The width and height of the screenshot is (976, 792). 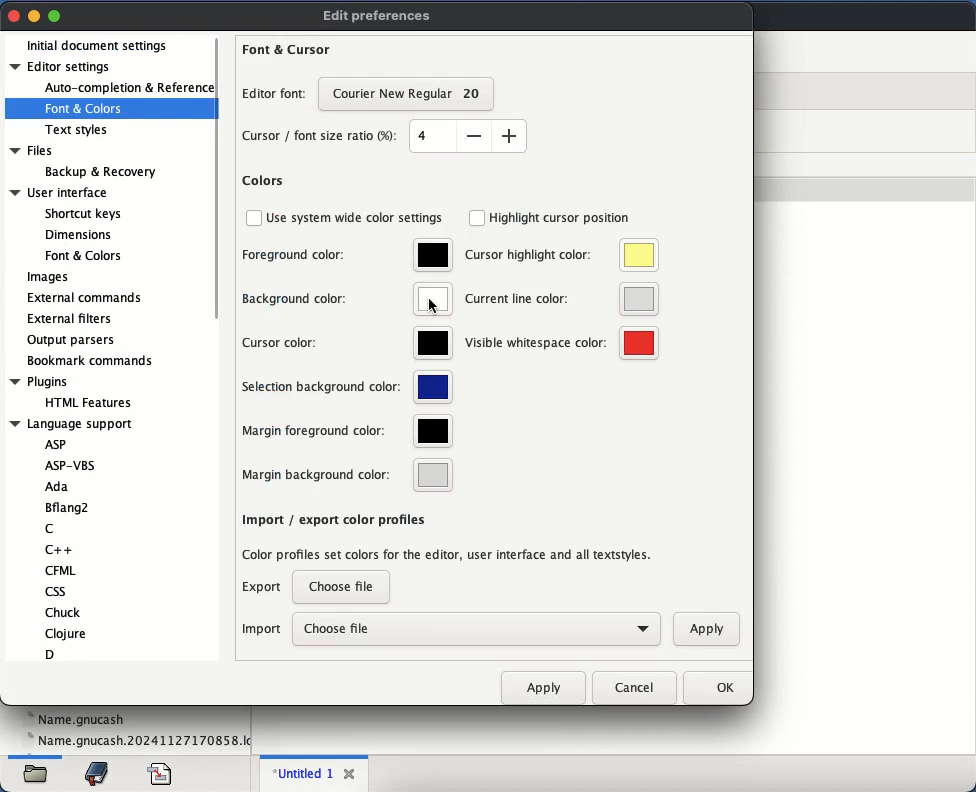 What do you see at coordinates (84, 211) in the screenshot?
I see `Shortcut keys` at bounding box center [84, 211].